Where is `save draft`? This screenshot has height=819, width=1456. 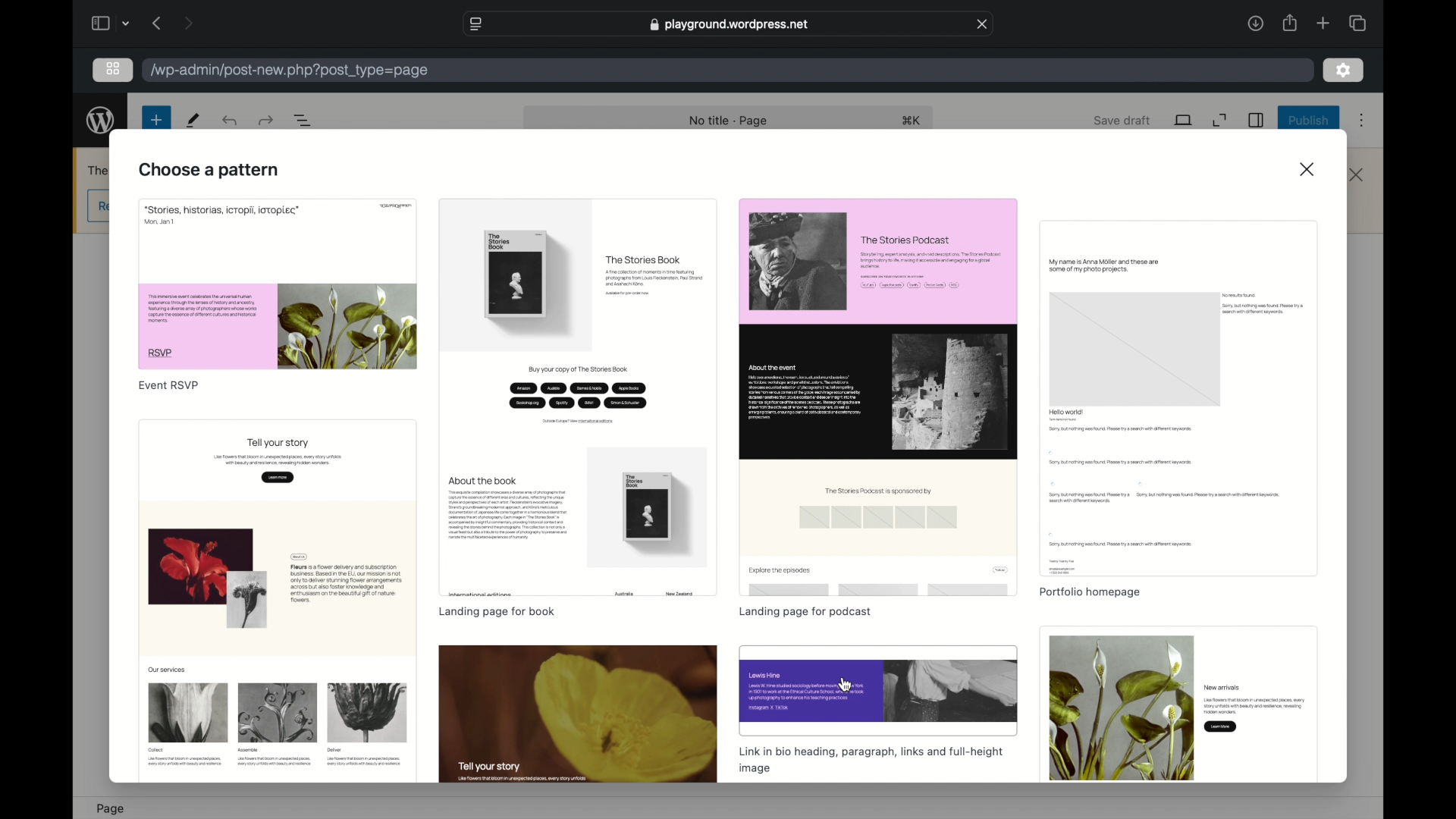
save draft is located at coordinates (1125, 121).